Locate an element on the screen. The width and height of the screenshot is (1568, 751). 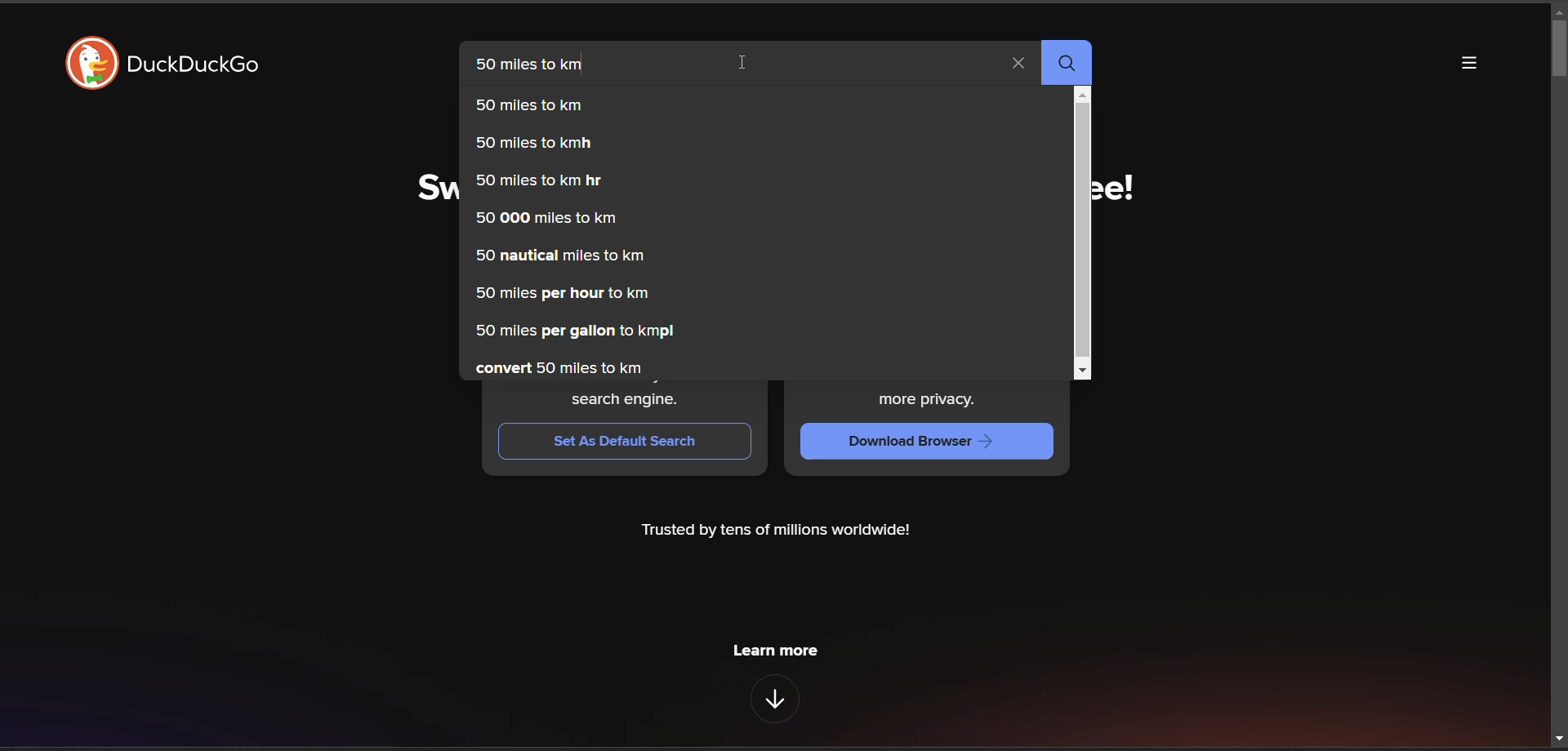
clear search term is located at coordinates (1015, 65).